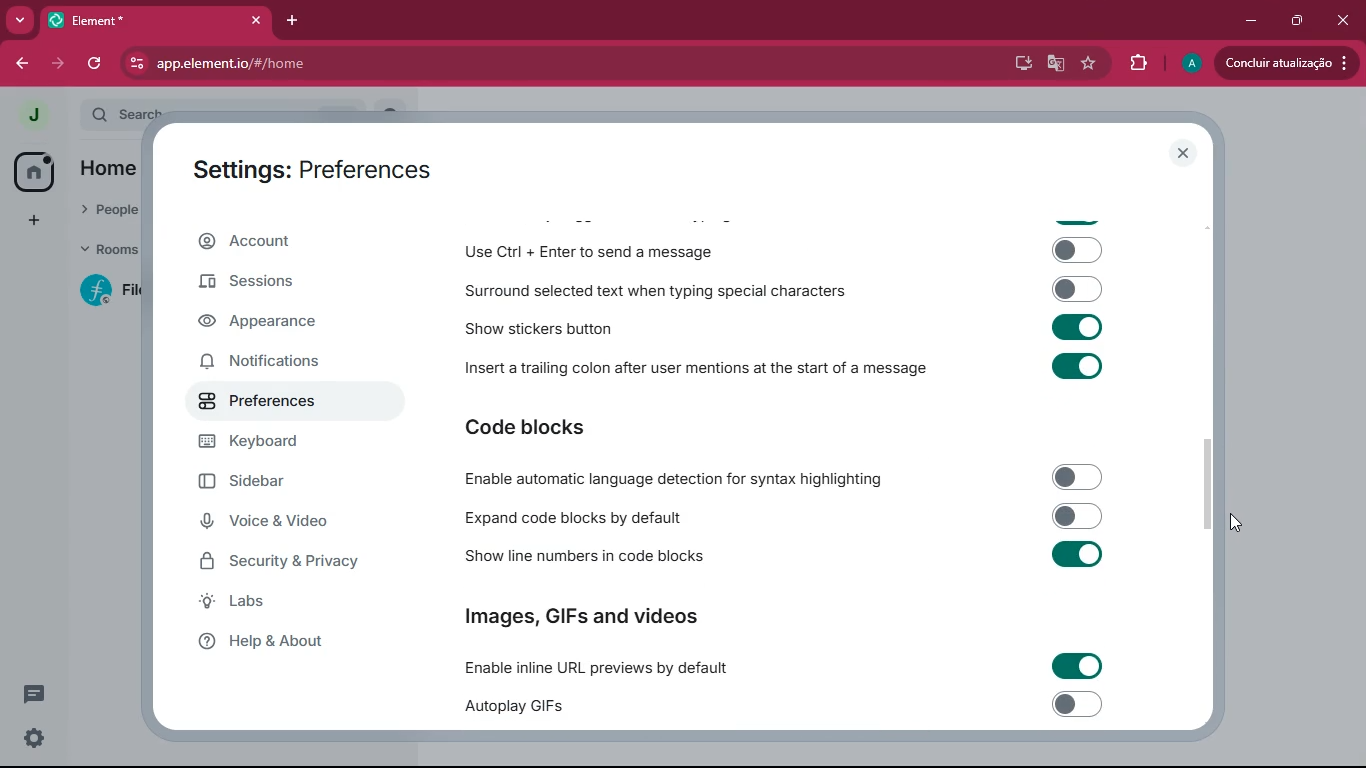 This screenshot has width=1366, height=768. Describe the element at coordinates (32, 171) in the screenshot. I see `home` at that location.